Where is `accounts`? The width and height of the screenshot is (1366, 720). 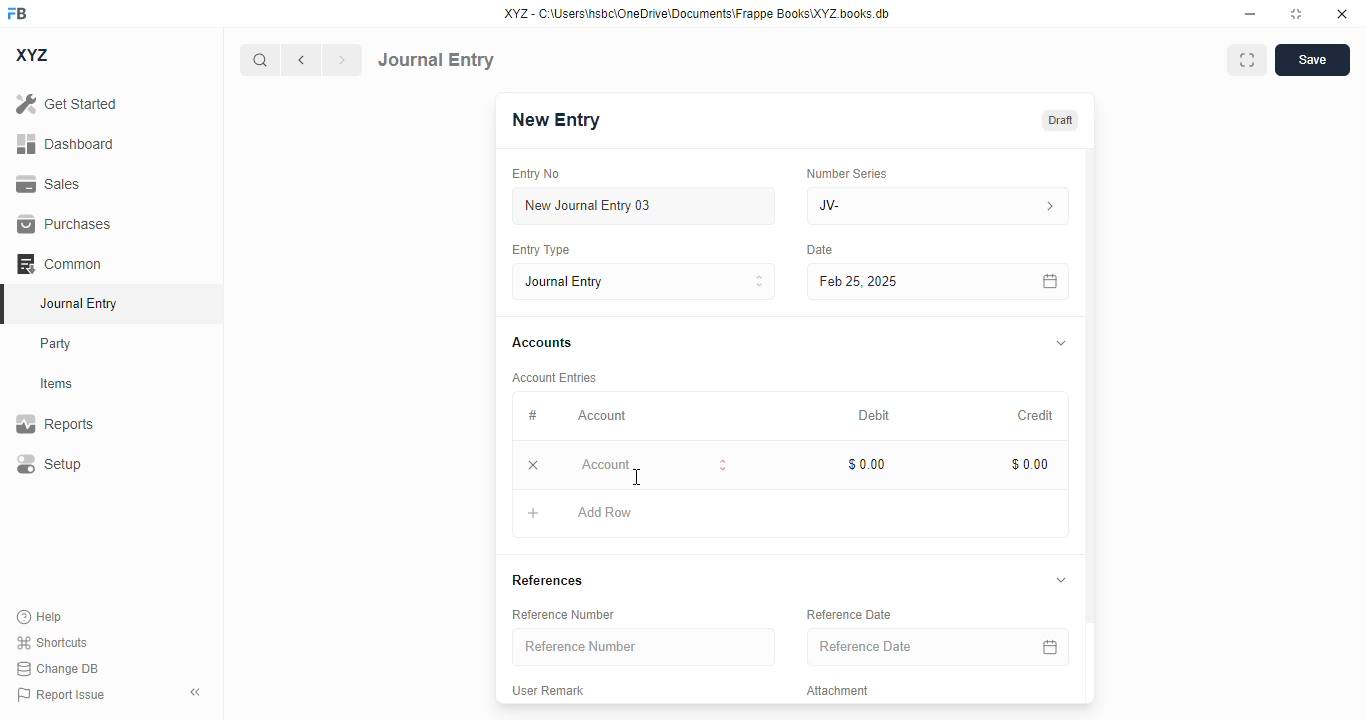
accounts is located at coordinates (542, 343).